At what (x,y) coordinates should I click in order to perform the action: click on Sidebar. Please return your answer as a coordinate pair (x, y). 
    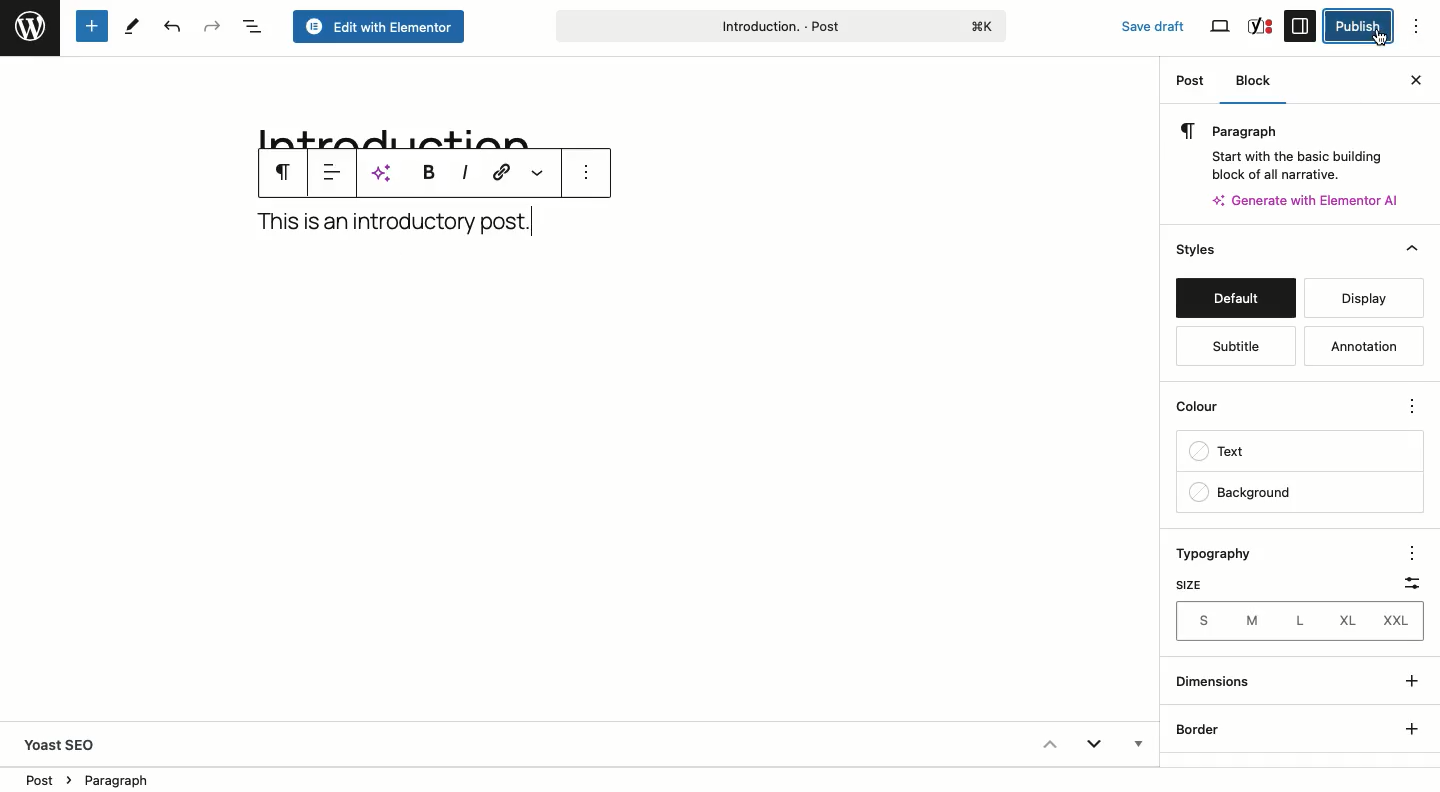
    Looking at the image, I should click on (1300, 25).